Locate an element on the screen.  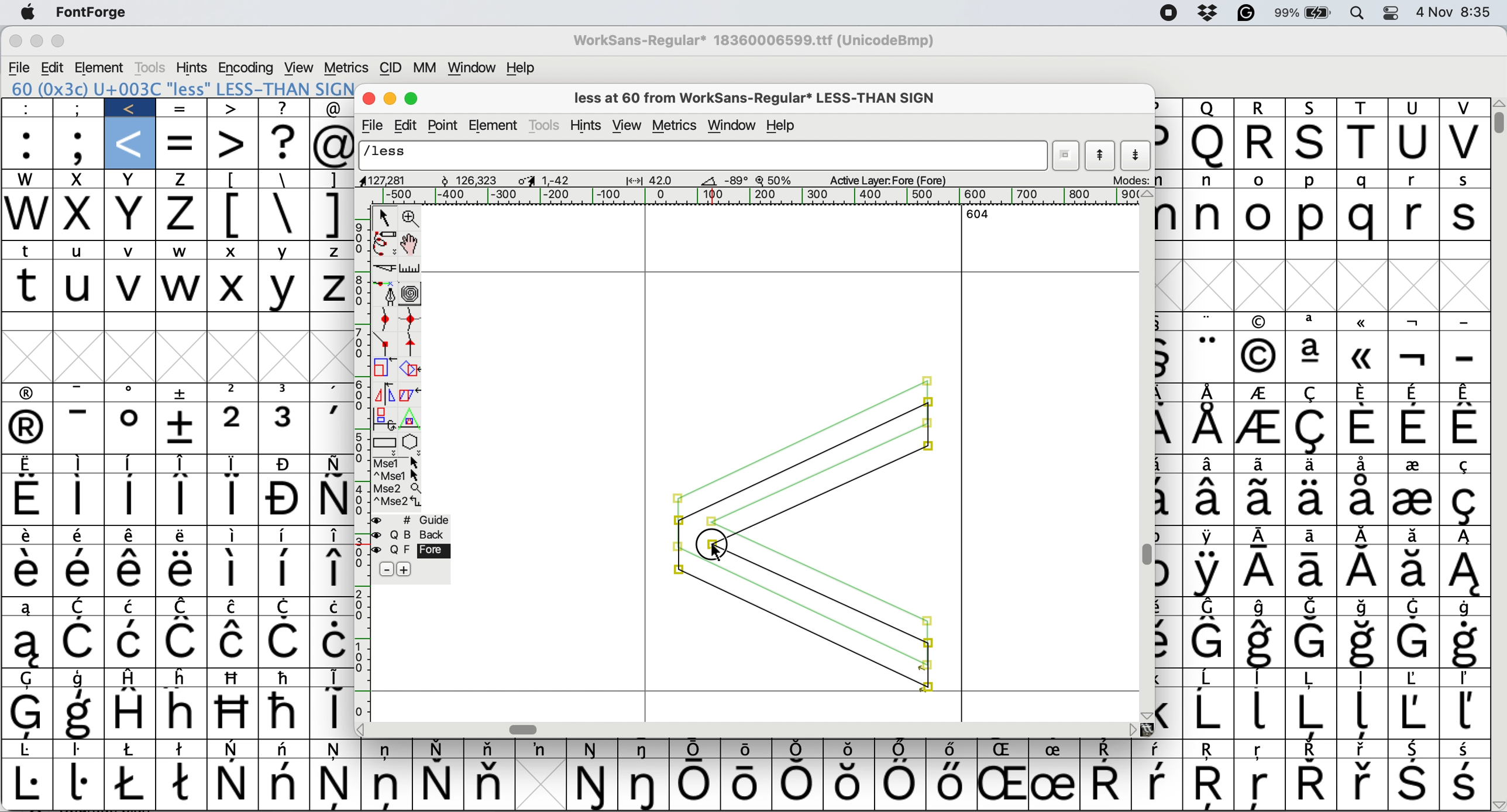
Symbol is located at coordinates (1210, 537).